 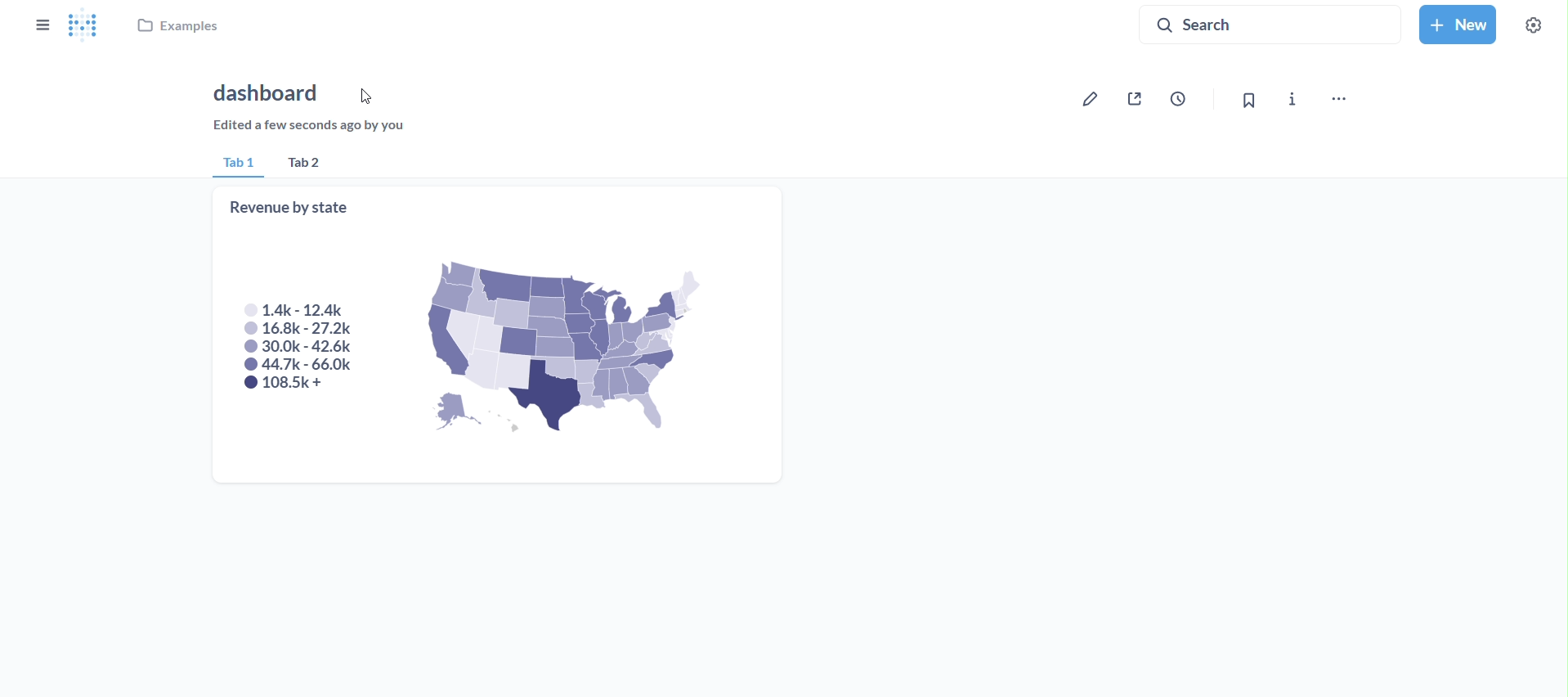 What do you see at coordinates (1092, 98) in the screenshot?
I see `edit dashboard` at bounding box center [1092, 98].